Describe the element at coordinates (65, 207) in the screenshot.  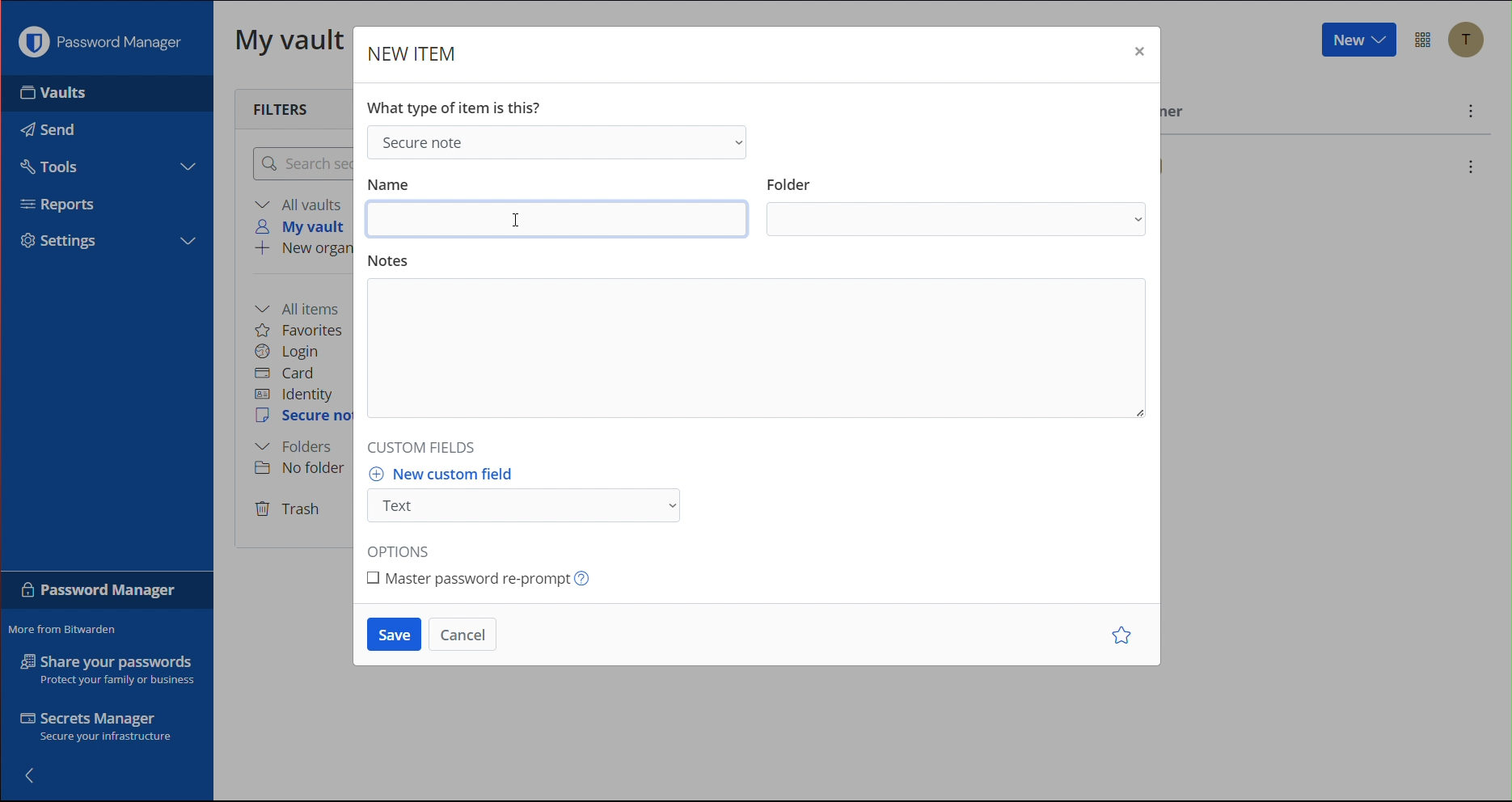
I see `Reports` at that location.